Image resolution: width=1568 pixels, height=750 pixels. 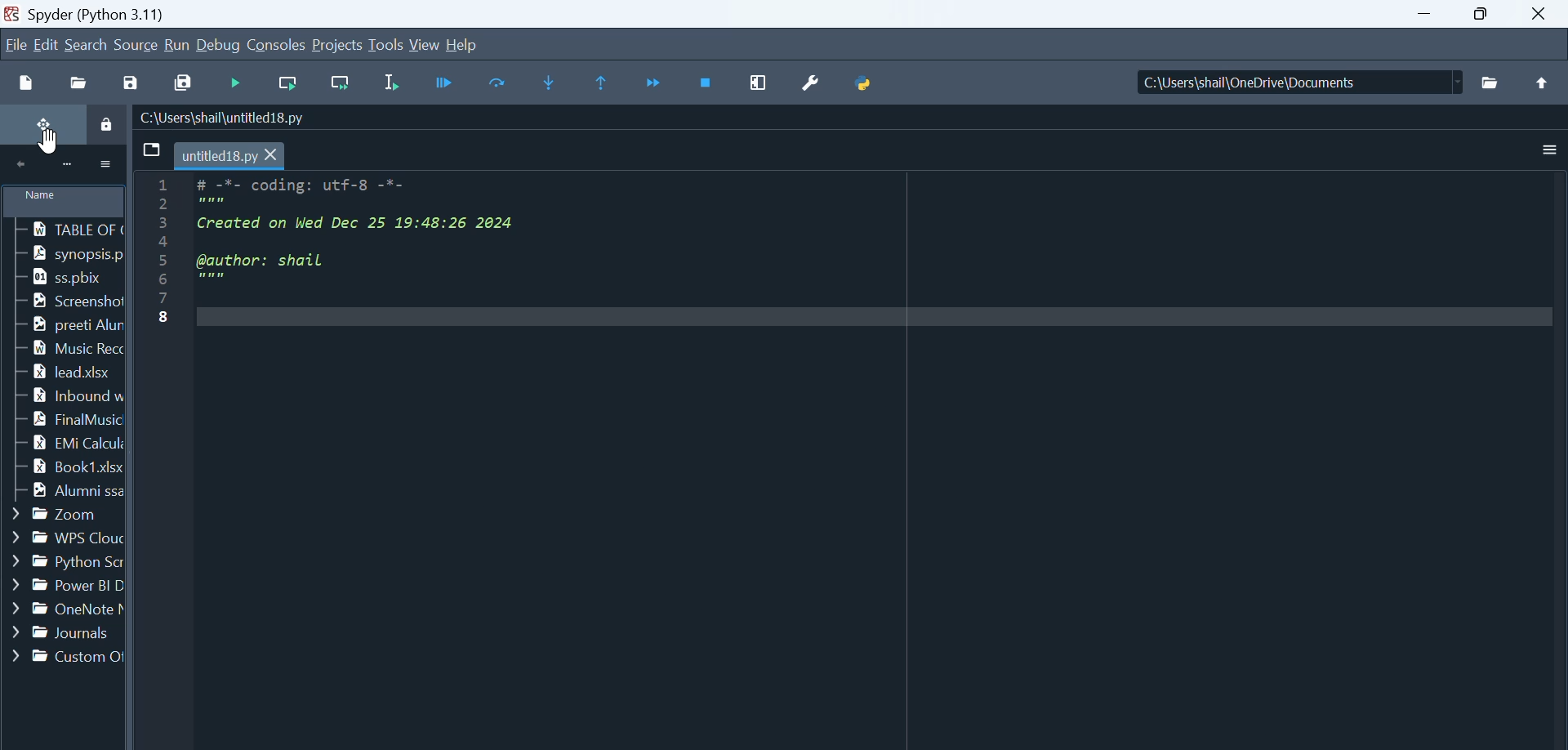 I want to click on open parent directory, so click(x=1543, y=83).